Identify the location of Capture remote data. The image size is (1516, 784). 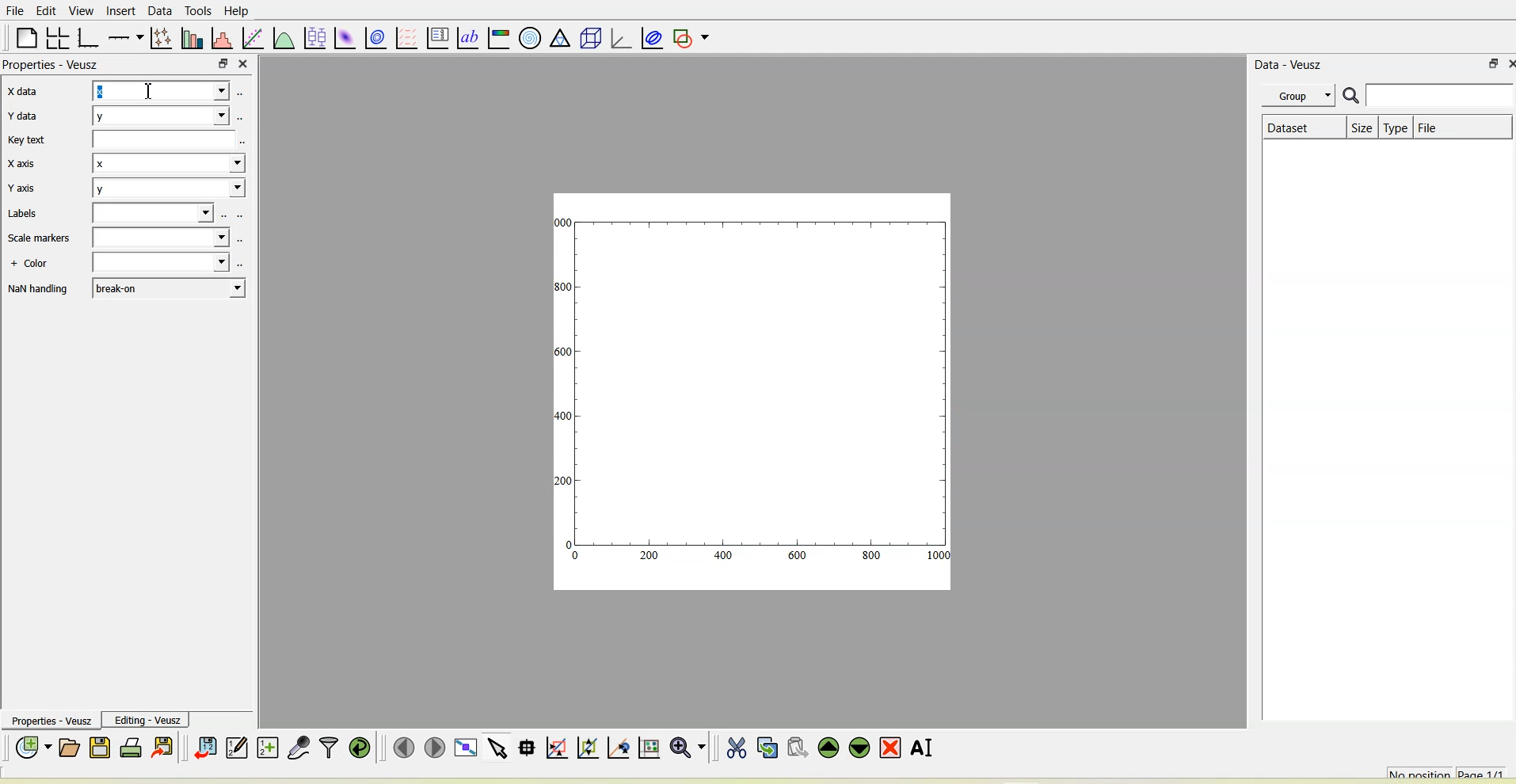
(299, 748).